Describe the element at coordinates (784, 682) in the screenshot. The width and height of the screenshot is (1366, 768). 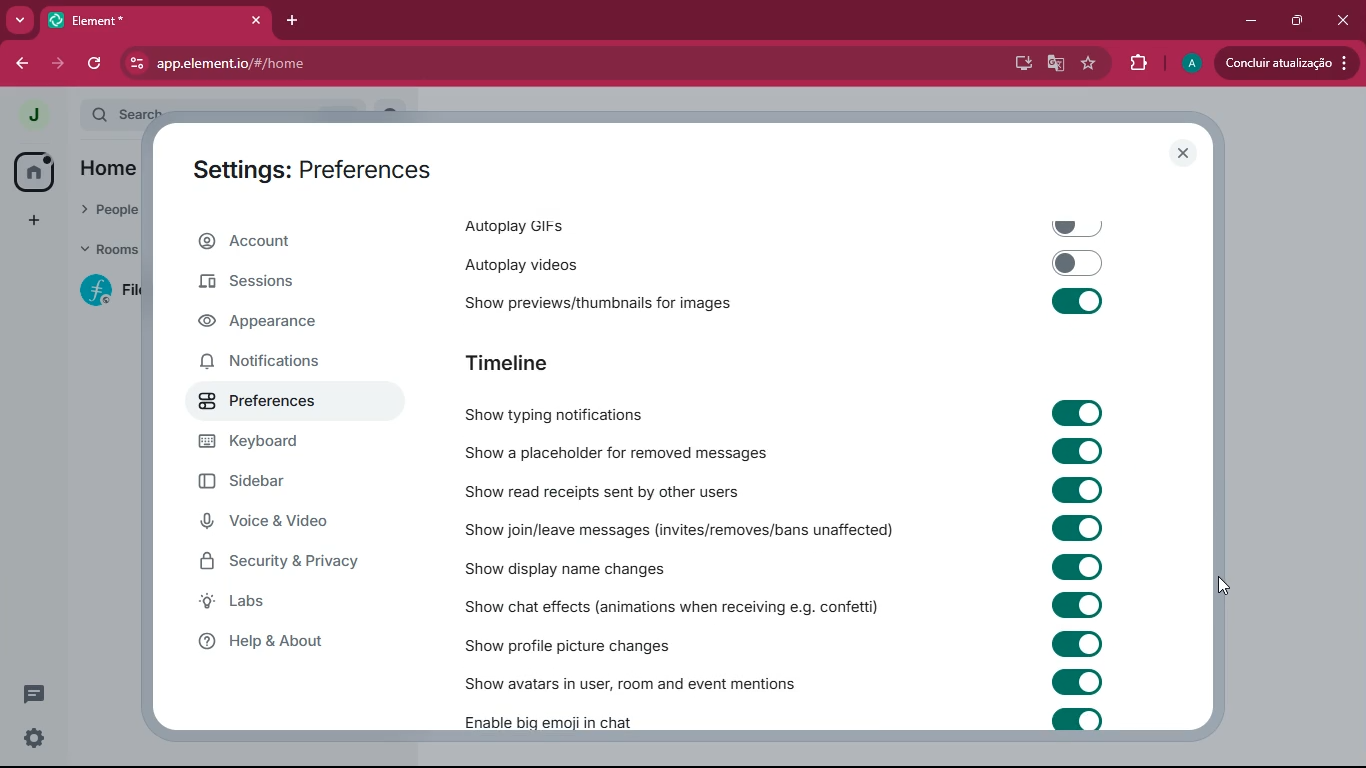
I see `‘Show avatars in user, room and event mentions` at that location.